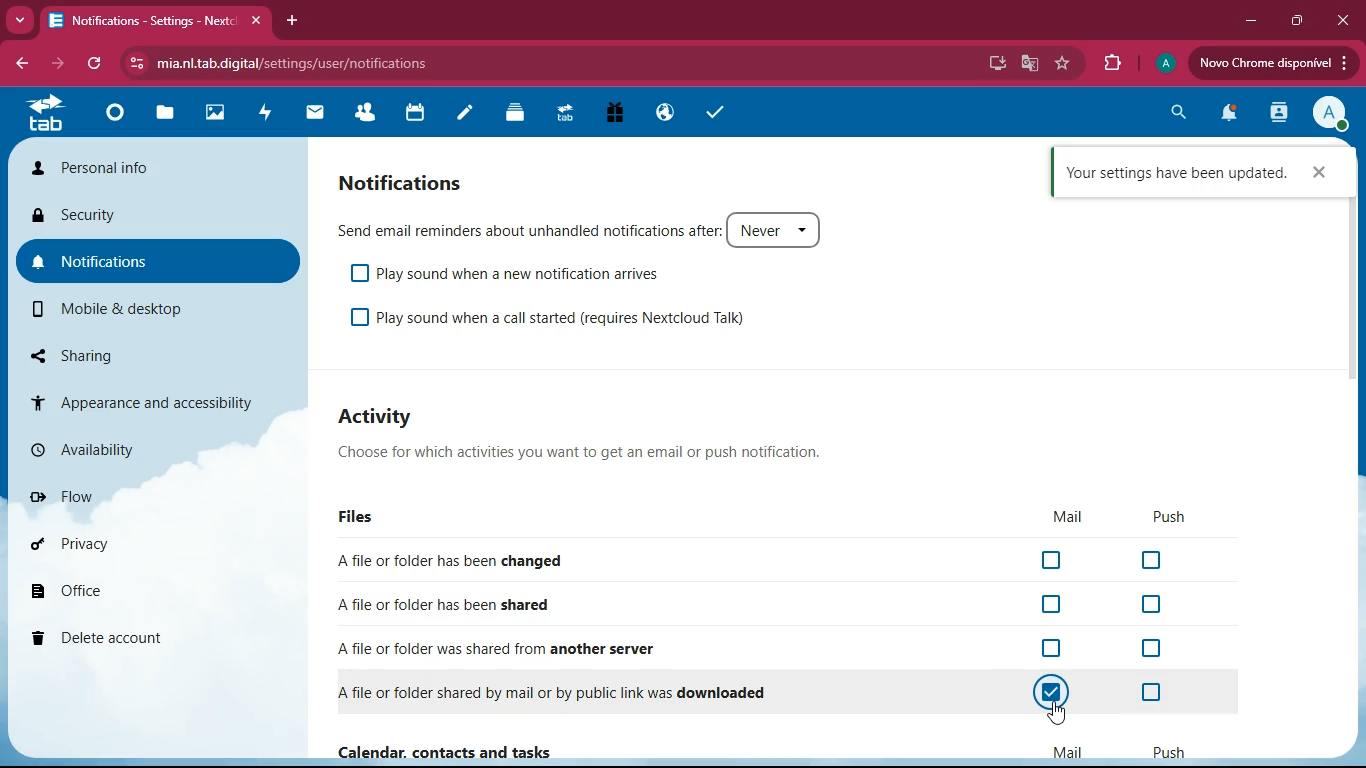 The image size is (1366, 768). Describe the element at coordinates (1068, 749) in the screenshot. I see `mail` at that location.